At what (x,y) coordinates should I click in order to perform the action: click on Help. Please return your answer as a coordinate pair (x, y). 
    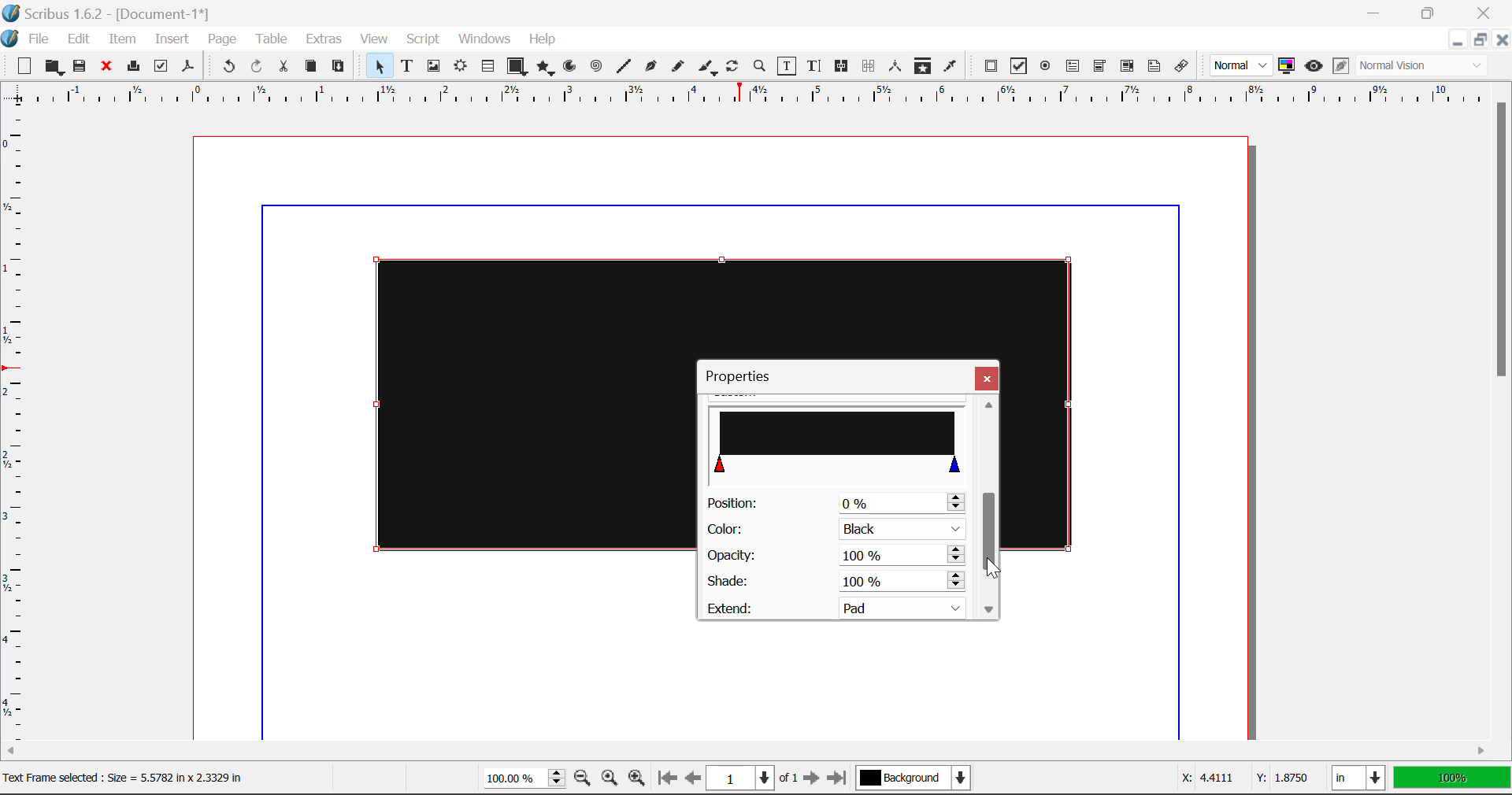
    Looking at the image, I should click on (543, 39).